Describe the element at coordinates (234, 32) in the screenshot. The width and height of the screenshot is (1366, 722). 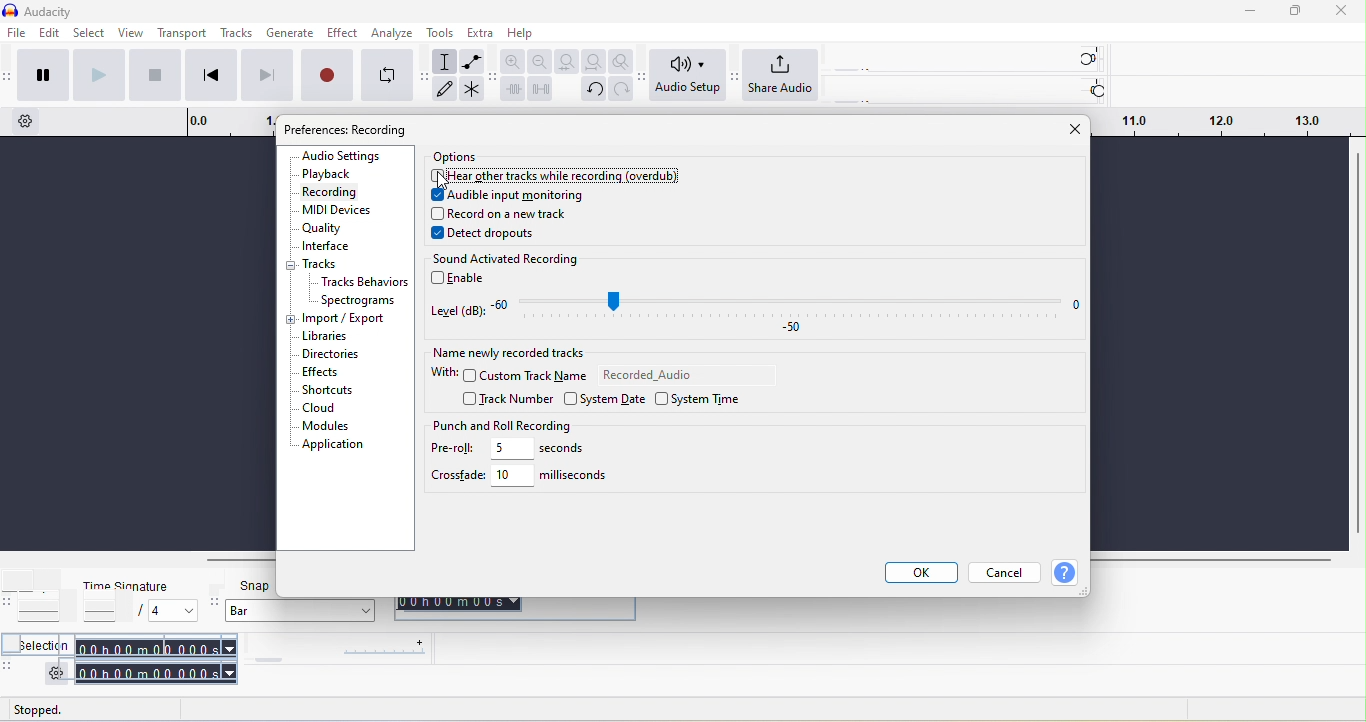
I see `tracks` at that location.